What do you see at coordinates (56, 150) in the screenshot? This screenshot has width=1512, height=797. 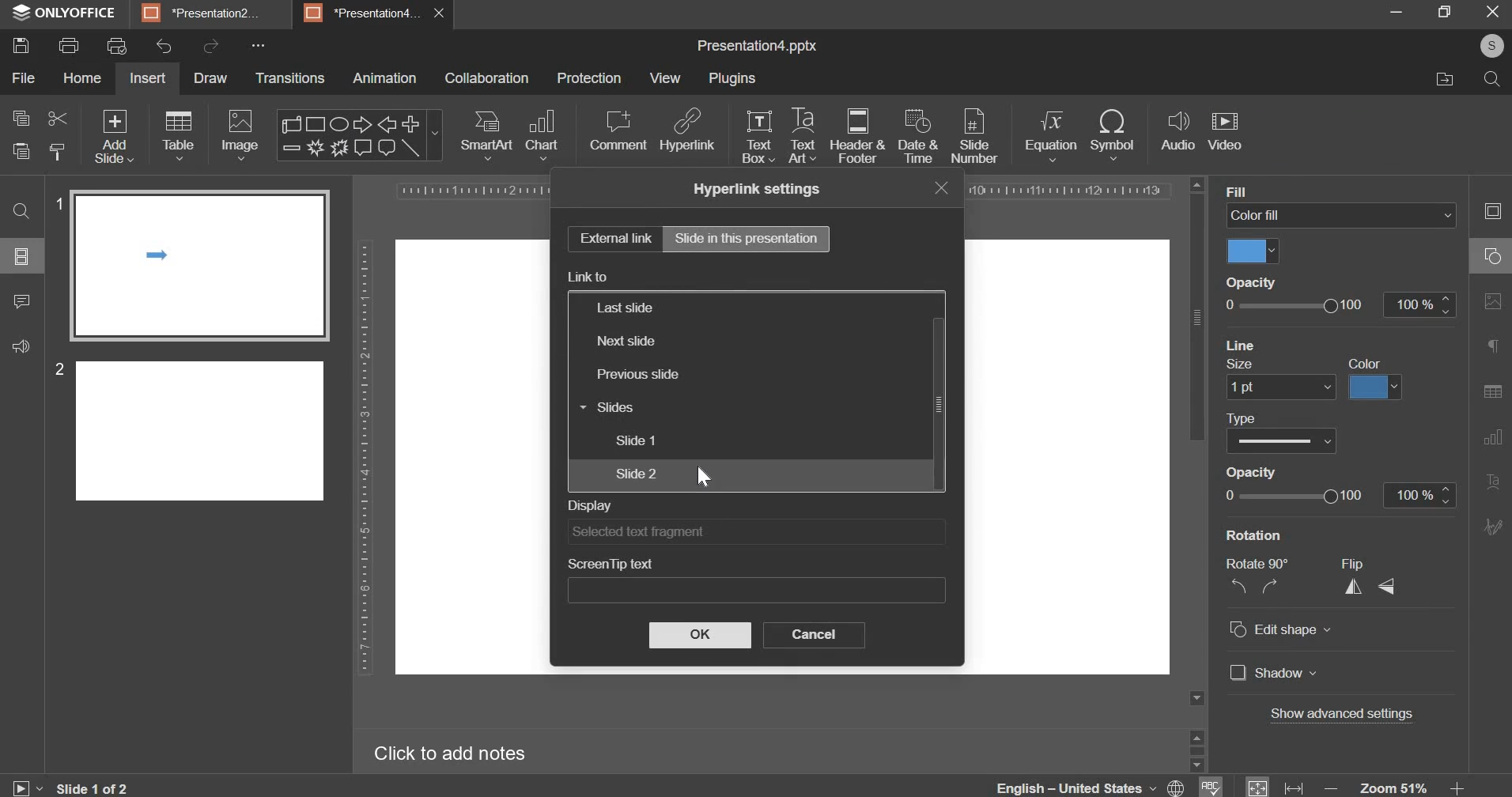 I see `copy stlye` at bounding box center [56, 150].